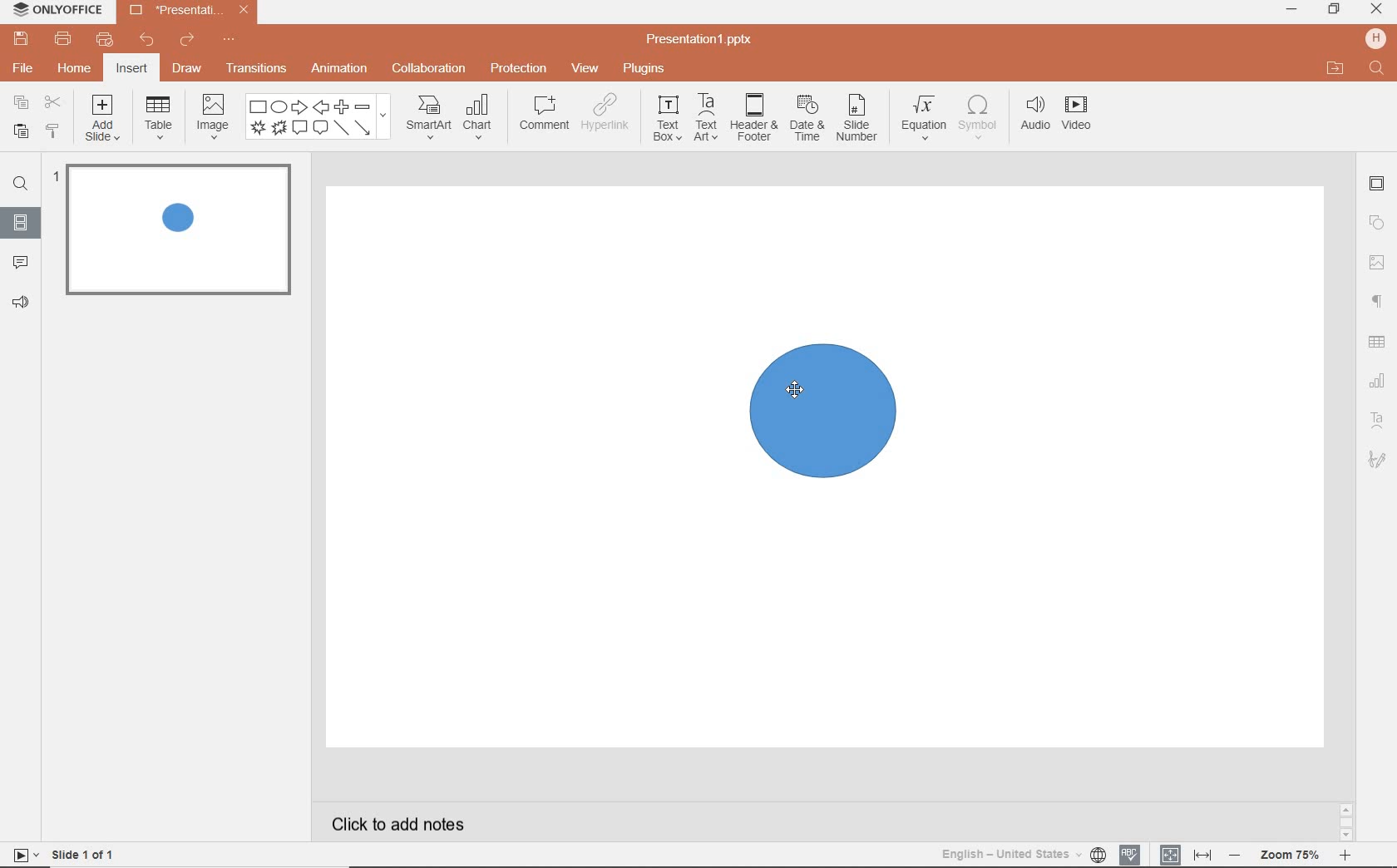  What do you see at coordinates (21, 225) in the screenshot?
I see `slides` at bounding box center [21, 225].